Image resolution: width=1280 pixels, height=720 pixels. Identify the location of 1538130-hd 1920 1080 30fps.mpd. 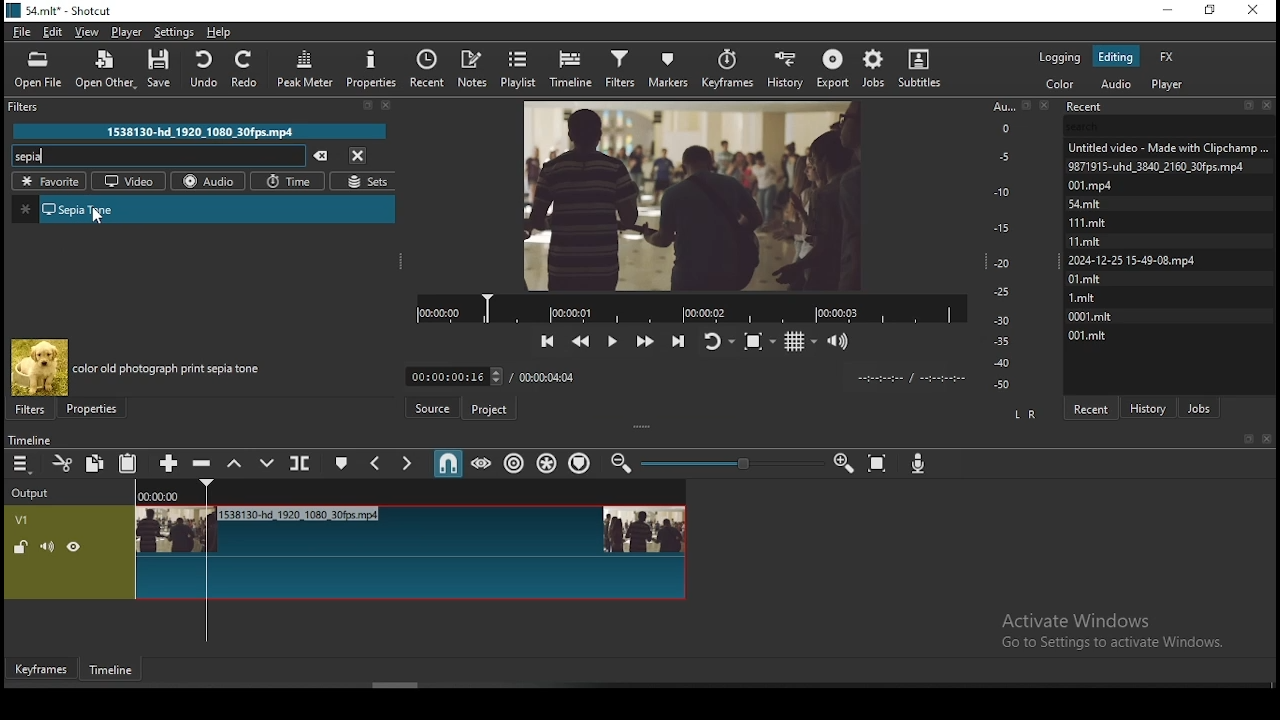
(200, 131).